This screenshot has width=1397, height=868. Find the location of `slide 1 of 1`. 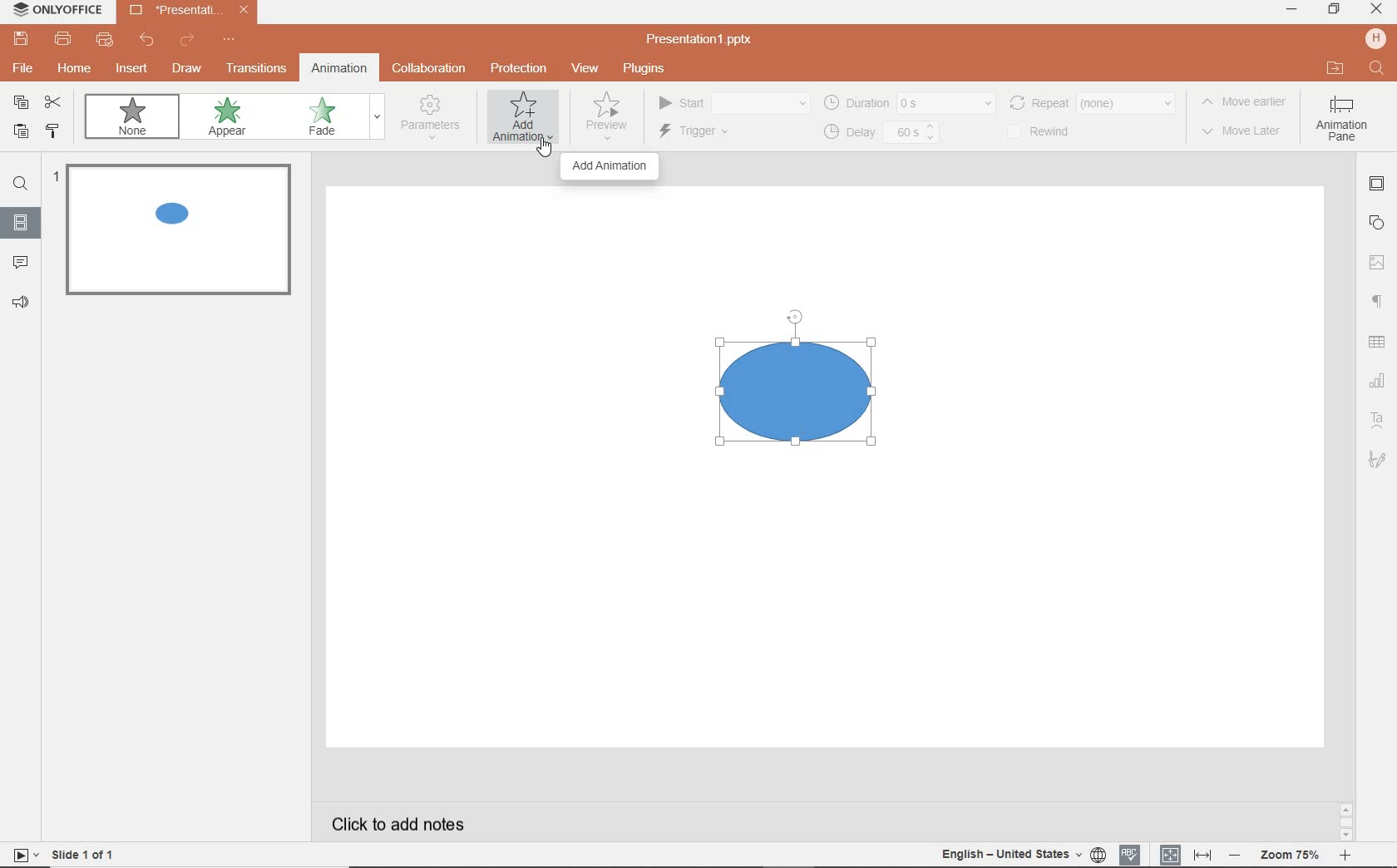

slide 1 of 1 is located at coordinates (87, 857).